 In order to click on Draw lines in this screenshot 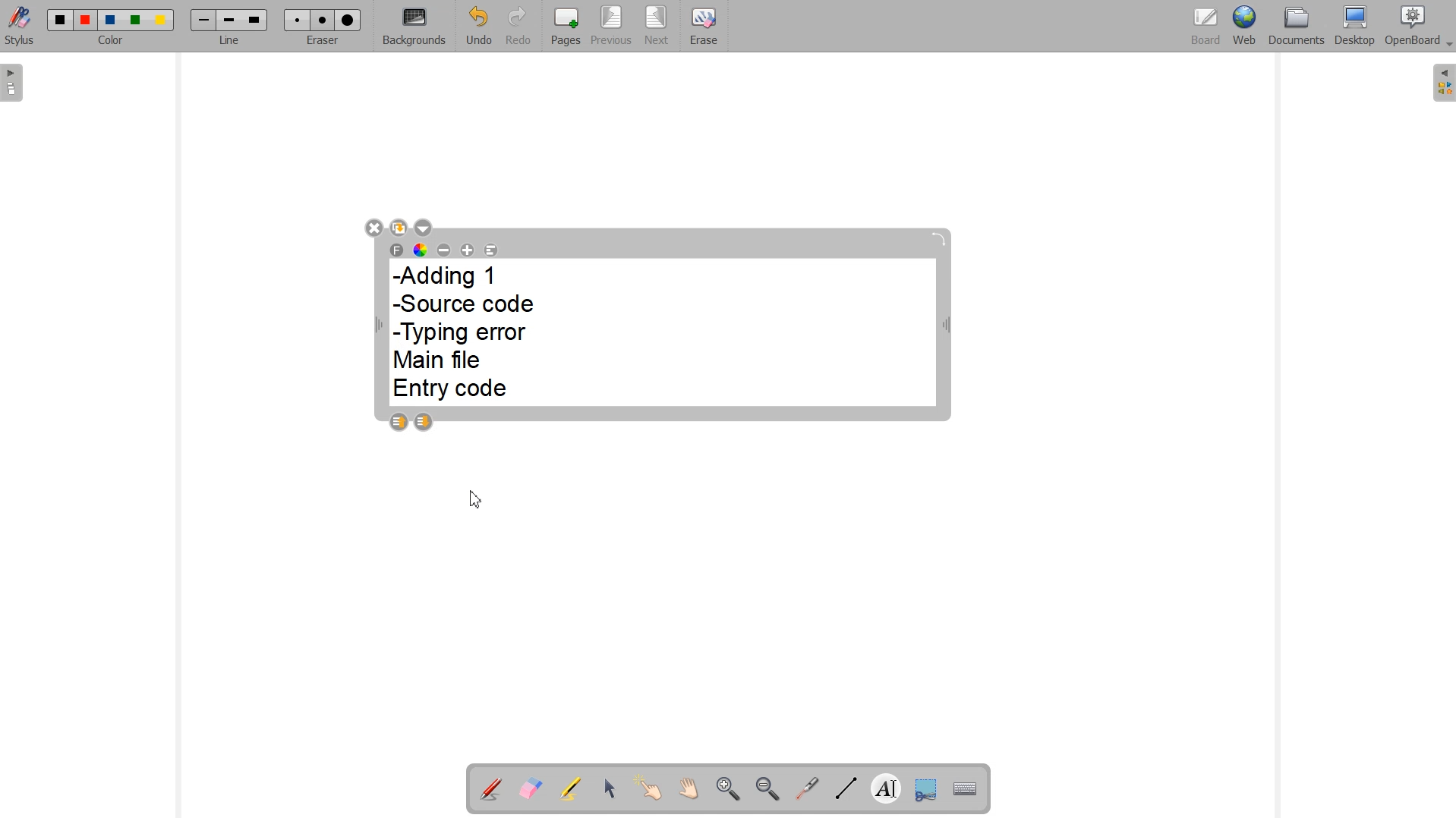, I will do `click(844, 788)`.